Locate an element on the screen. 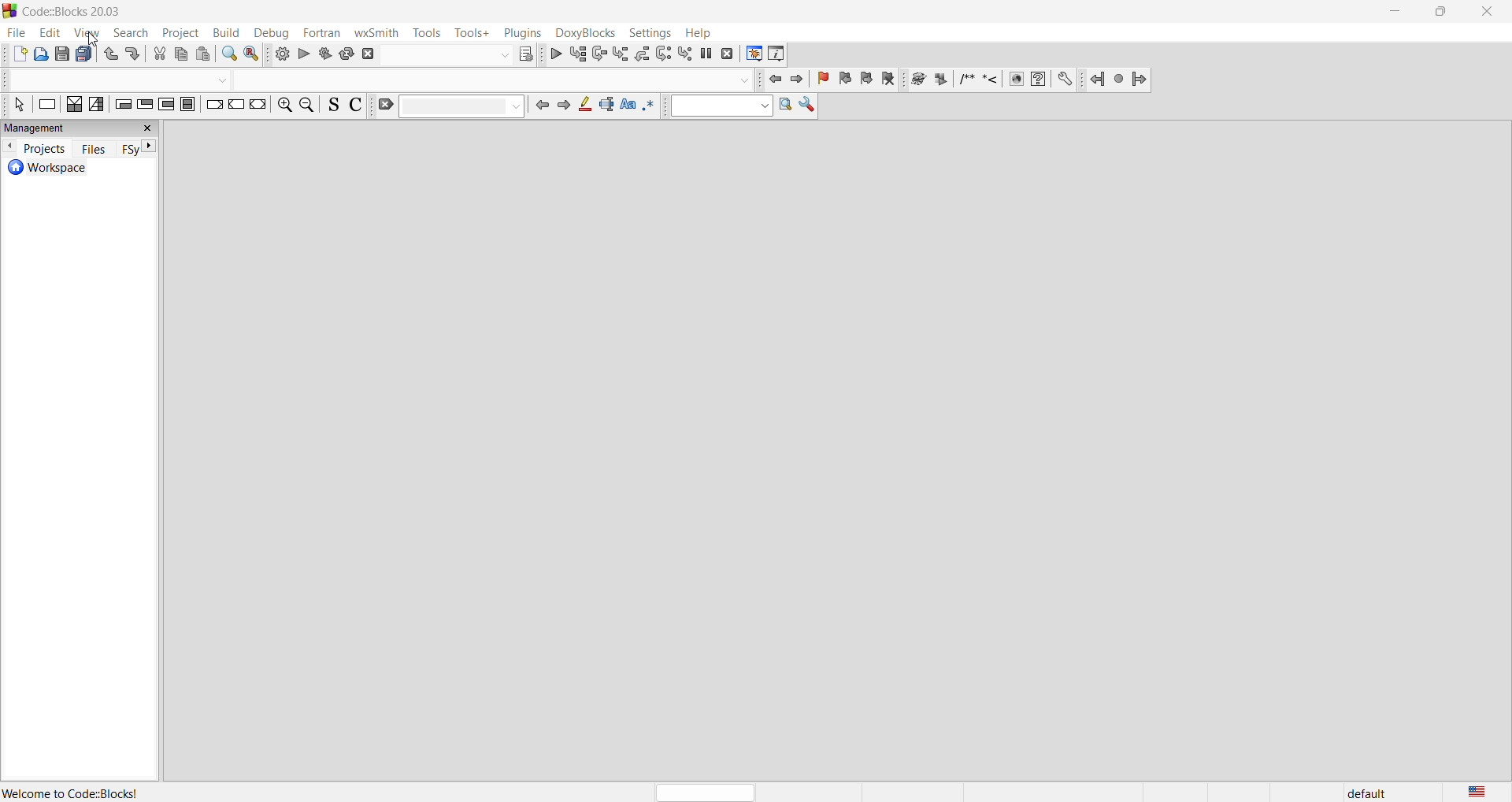  next bookmark is located at coordinates (869, 80).